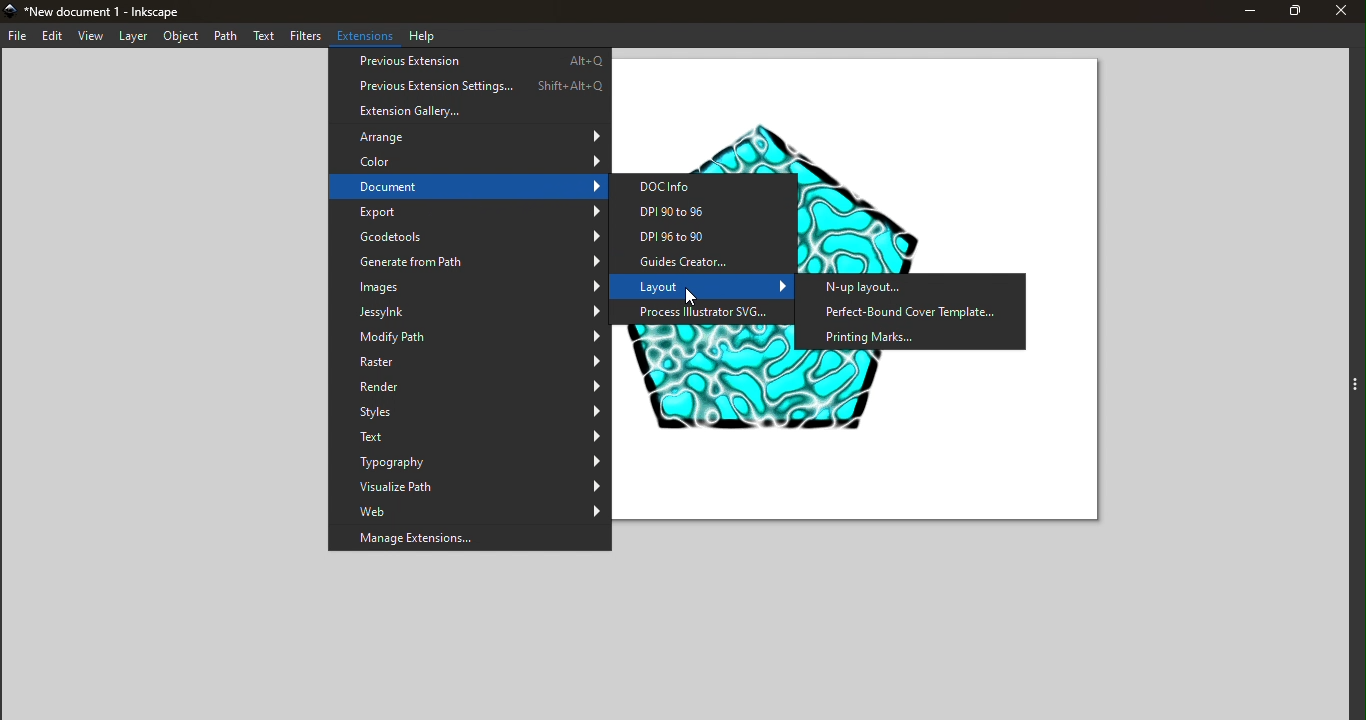 The image size is (1366, 720). Describe the element at coordinates (109, 10) in the screenshot. I see `New document 1 - Inkscape` at that location.